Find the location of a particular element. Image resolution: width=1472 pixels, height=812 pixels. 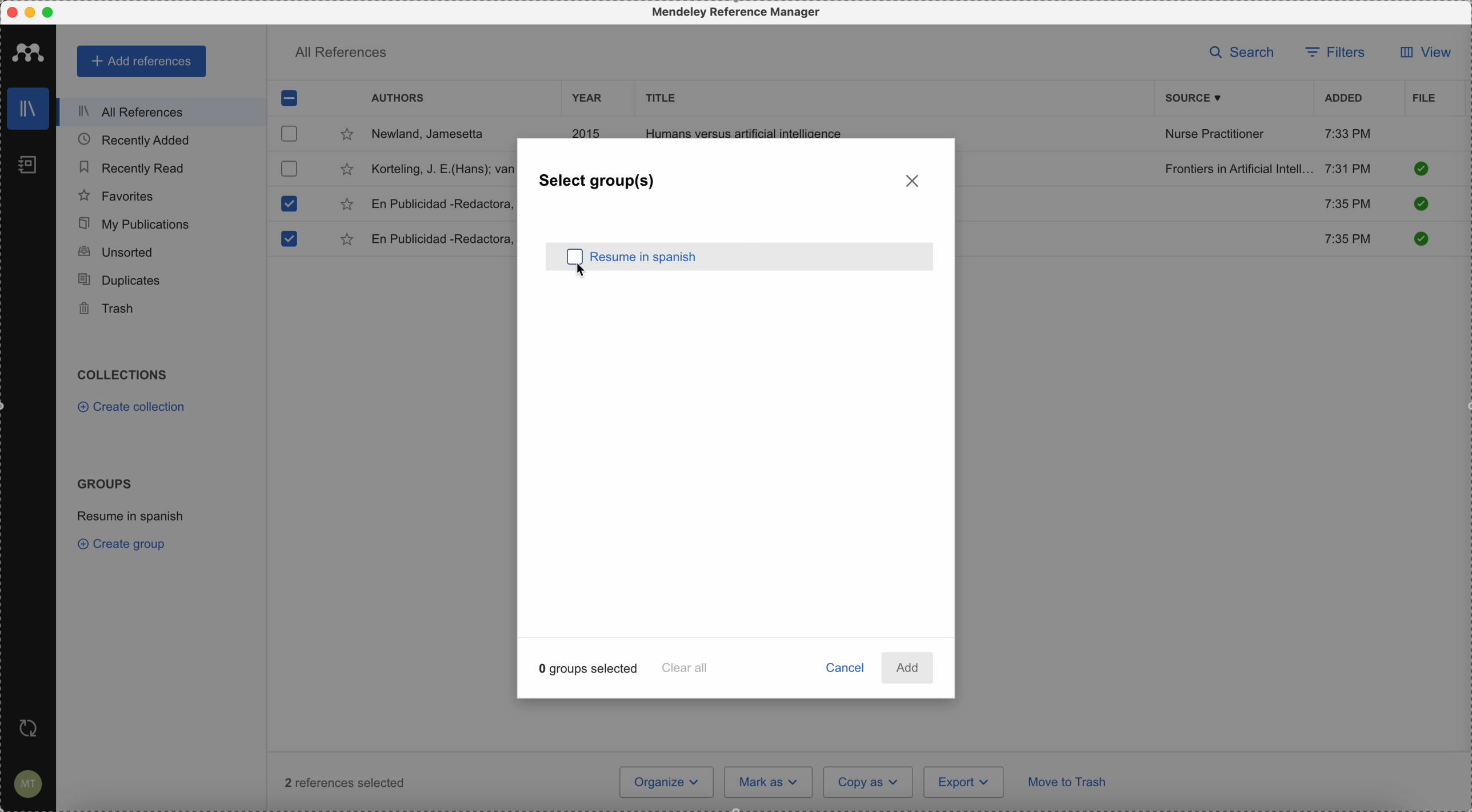

resume in spanish group is located at coordinates (133, 515).